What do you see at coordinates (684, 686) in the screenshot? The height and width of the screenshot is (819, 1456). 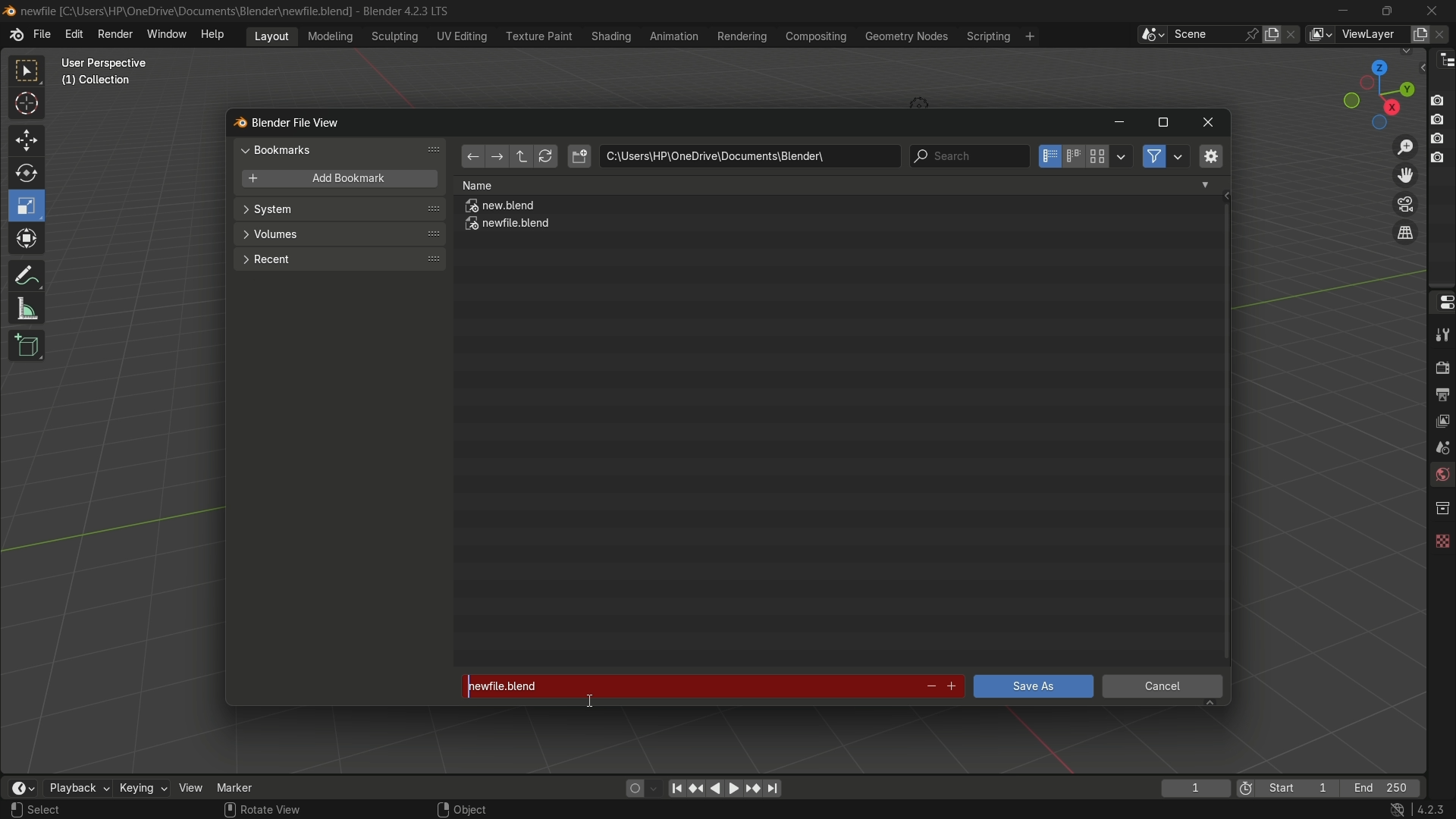 I see `newfile.blend` at bounding box center [684, 686].